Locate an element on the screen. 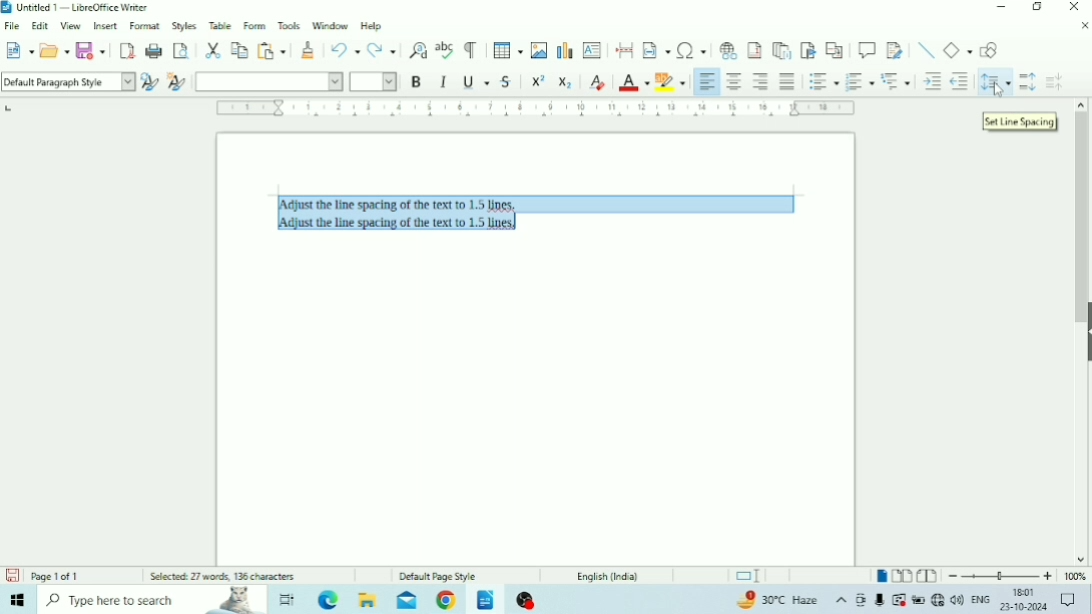 This screenshot has height=614, width=1092. Warning is located at coordinates (899, 600).